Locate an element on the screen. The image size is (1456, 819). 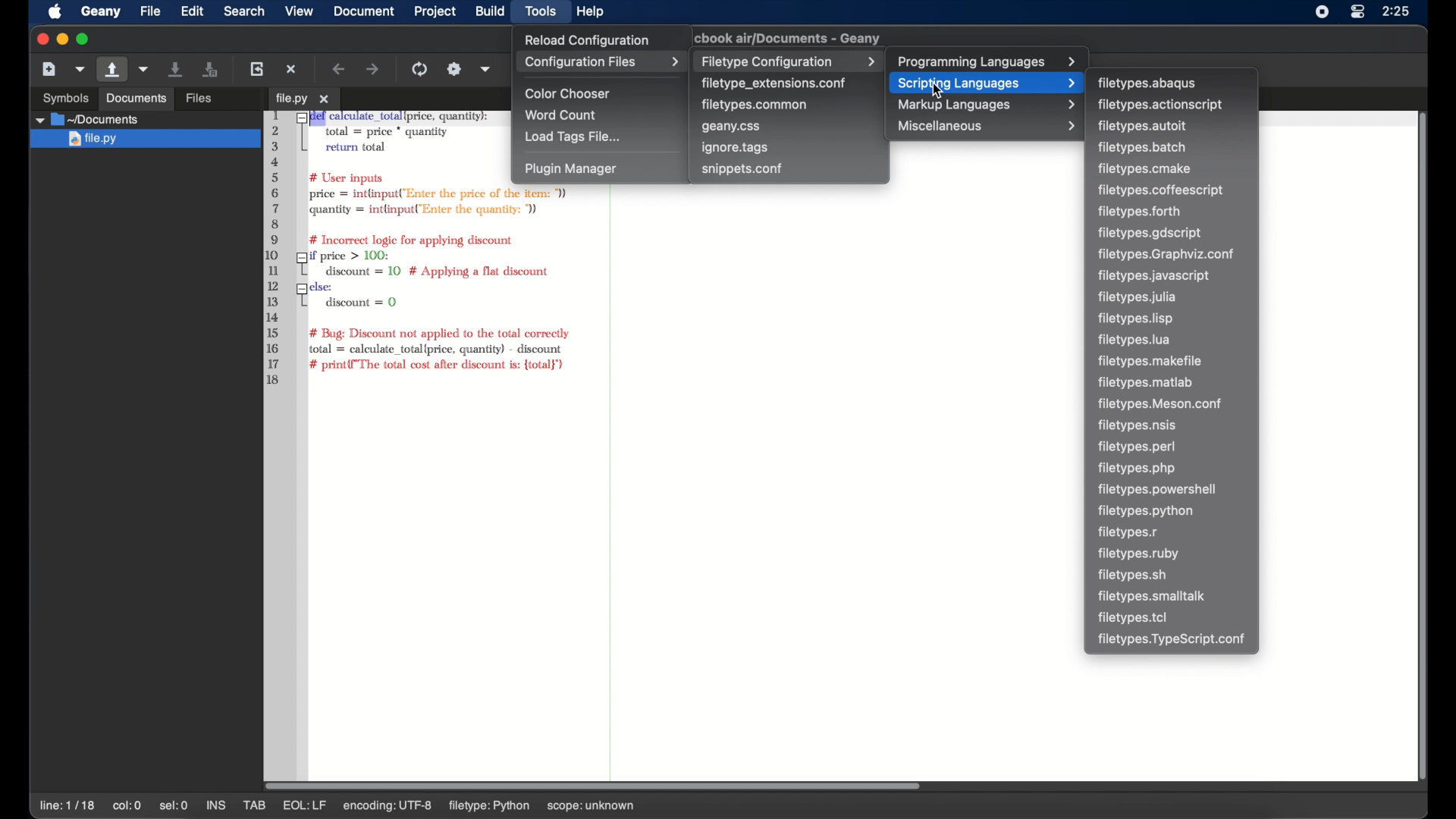
reload configuration is located at coordinates (585, 39).